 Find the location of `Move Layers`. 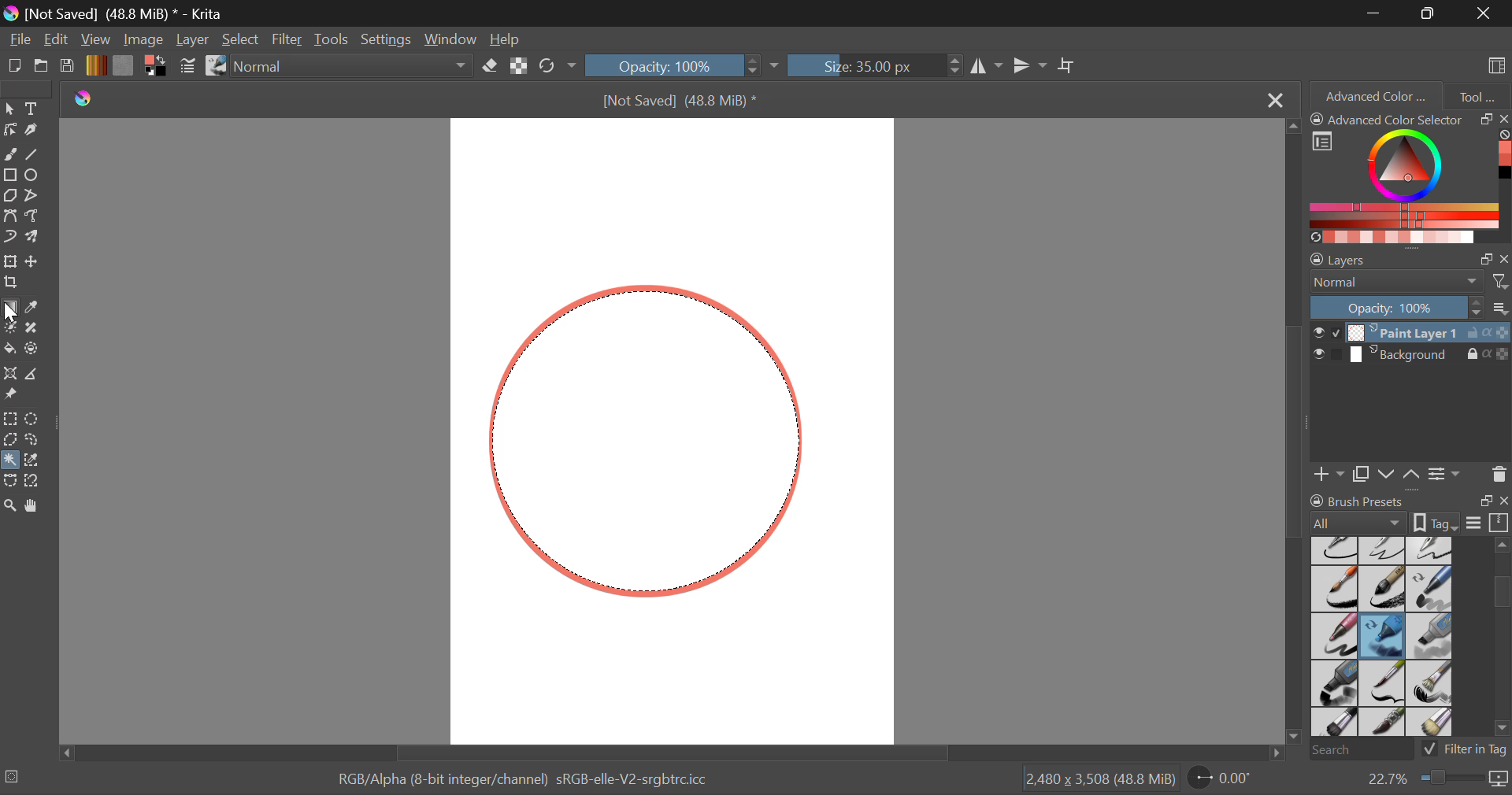

Move Layers is located at coordinates (1400, 472).